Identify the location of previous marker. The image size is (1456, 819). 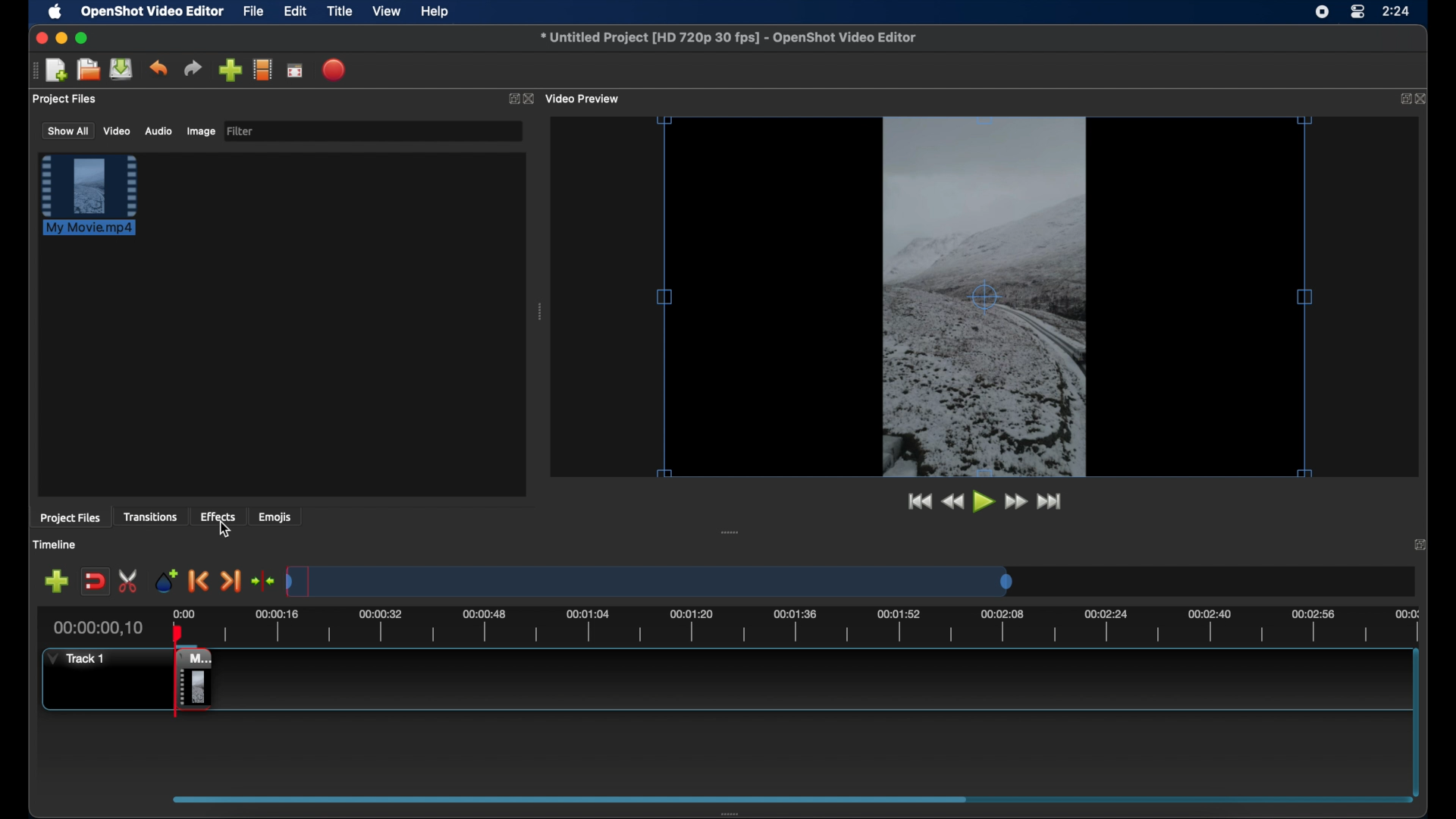
(196, 580).